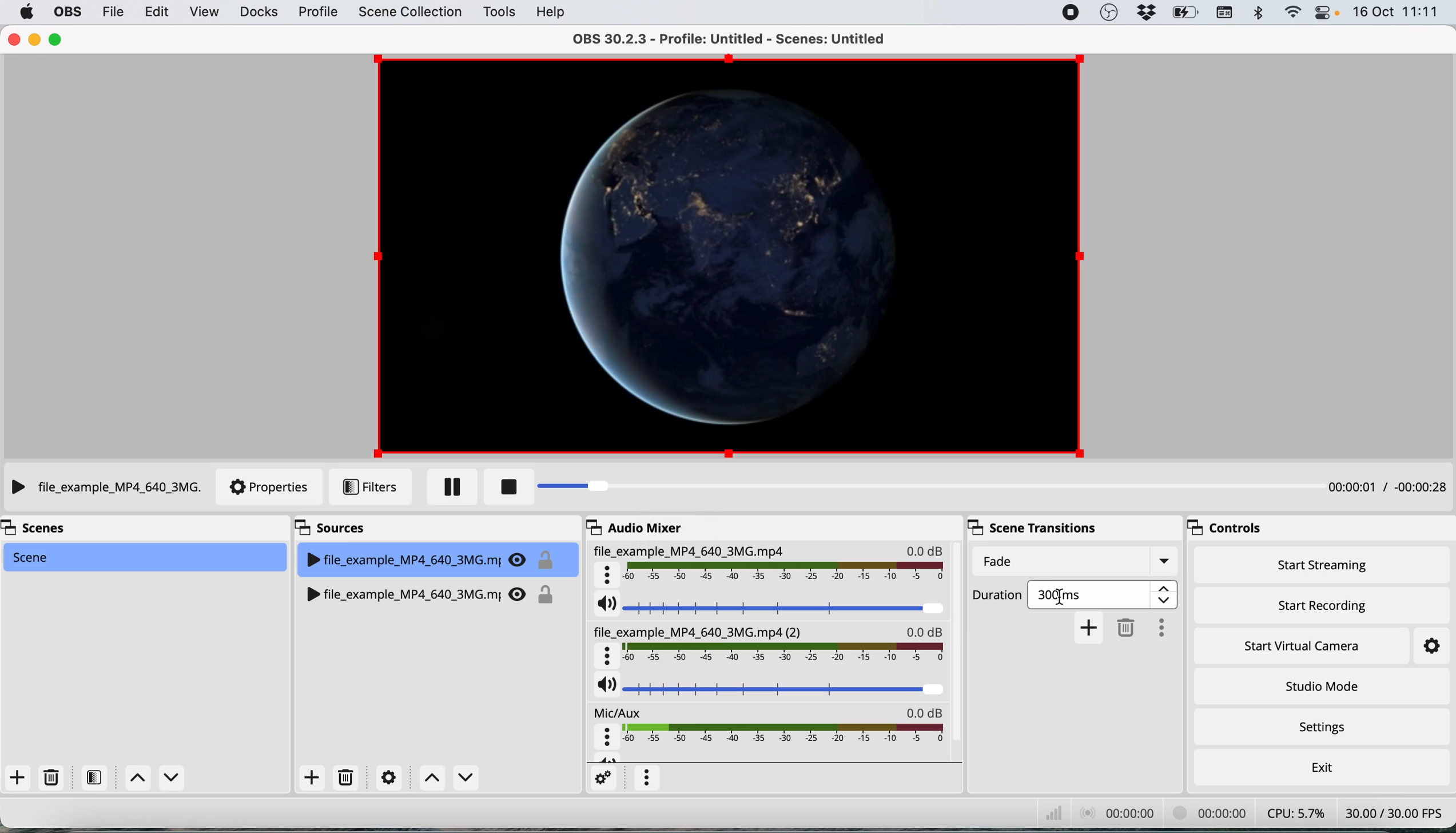 The image size is (1456, 833). What do you see at coordinates (1159, 627) in the screenshot?
I see `more options` at bounding box center [1159, 627].